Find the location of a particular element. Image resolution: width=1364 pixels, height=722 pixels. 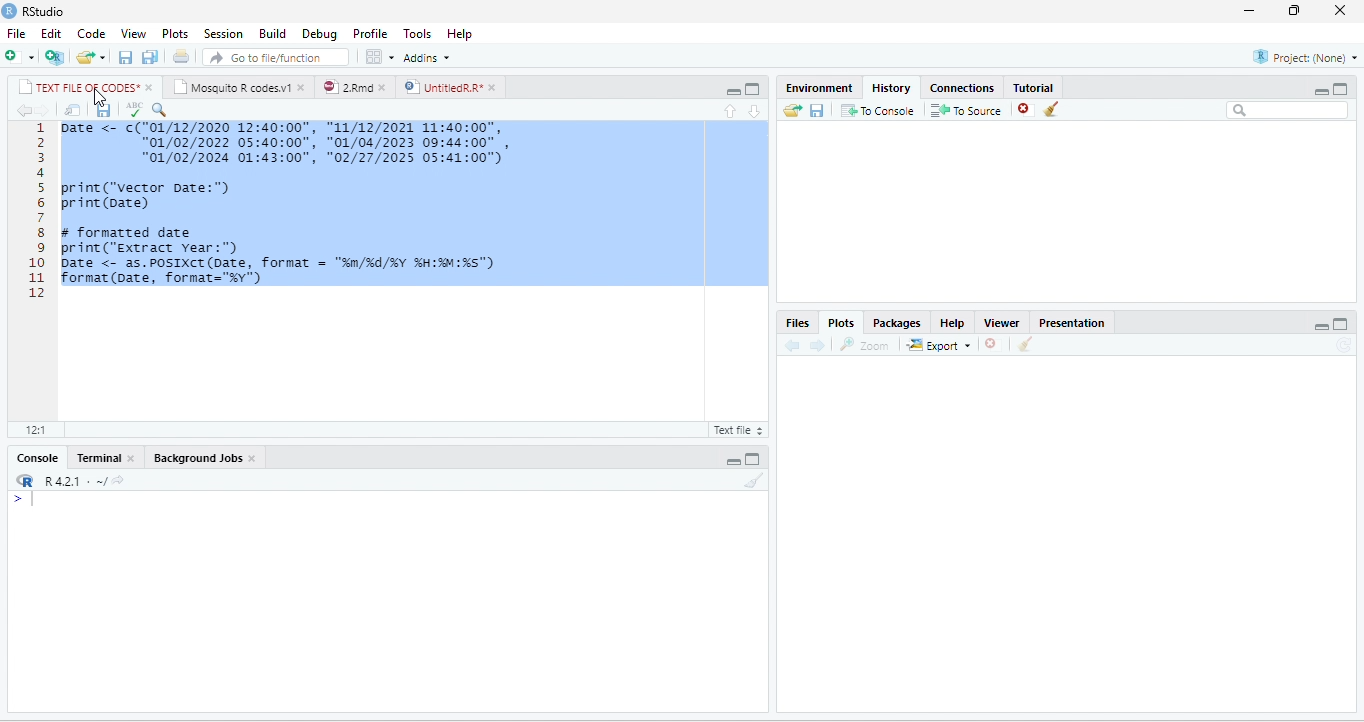

Export is located at coordinates (940, 344).